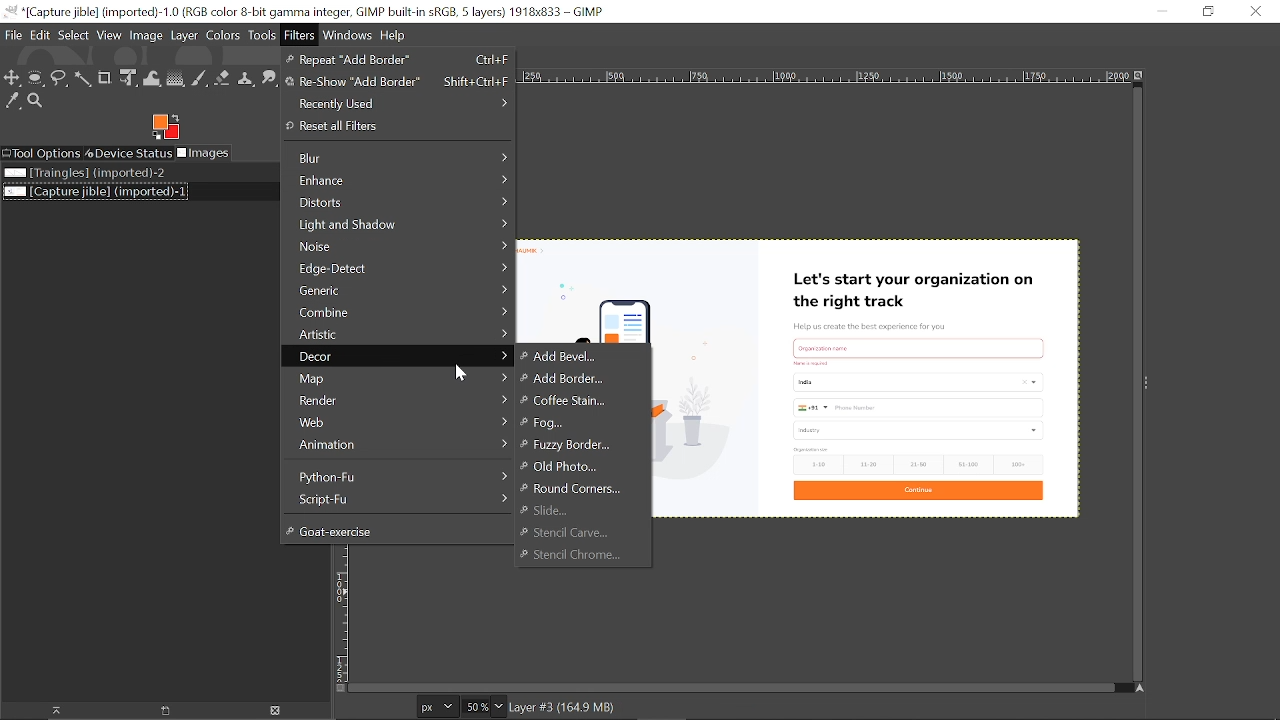  I want to click on View, so click(110, 36).